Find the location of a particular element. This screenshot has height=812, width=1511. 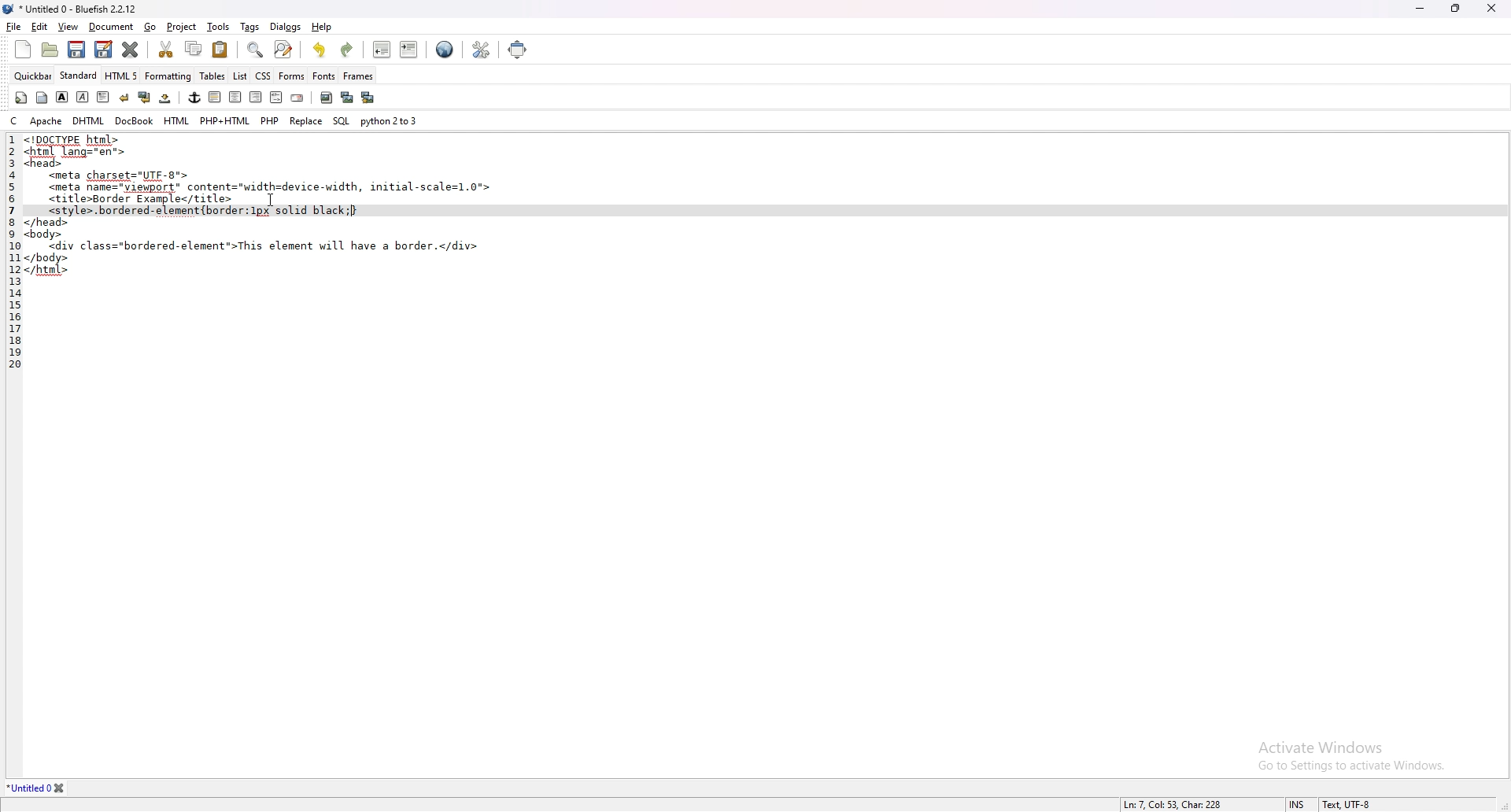

* Untitled 0 - Bluefish 2.2.12 is located at coordinates (79, 10).